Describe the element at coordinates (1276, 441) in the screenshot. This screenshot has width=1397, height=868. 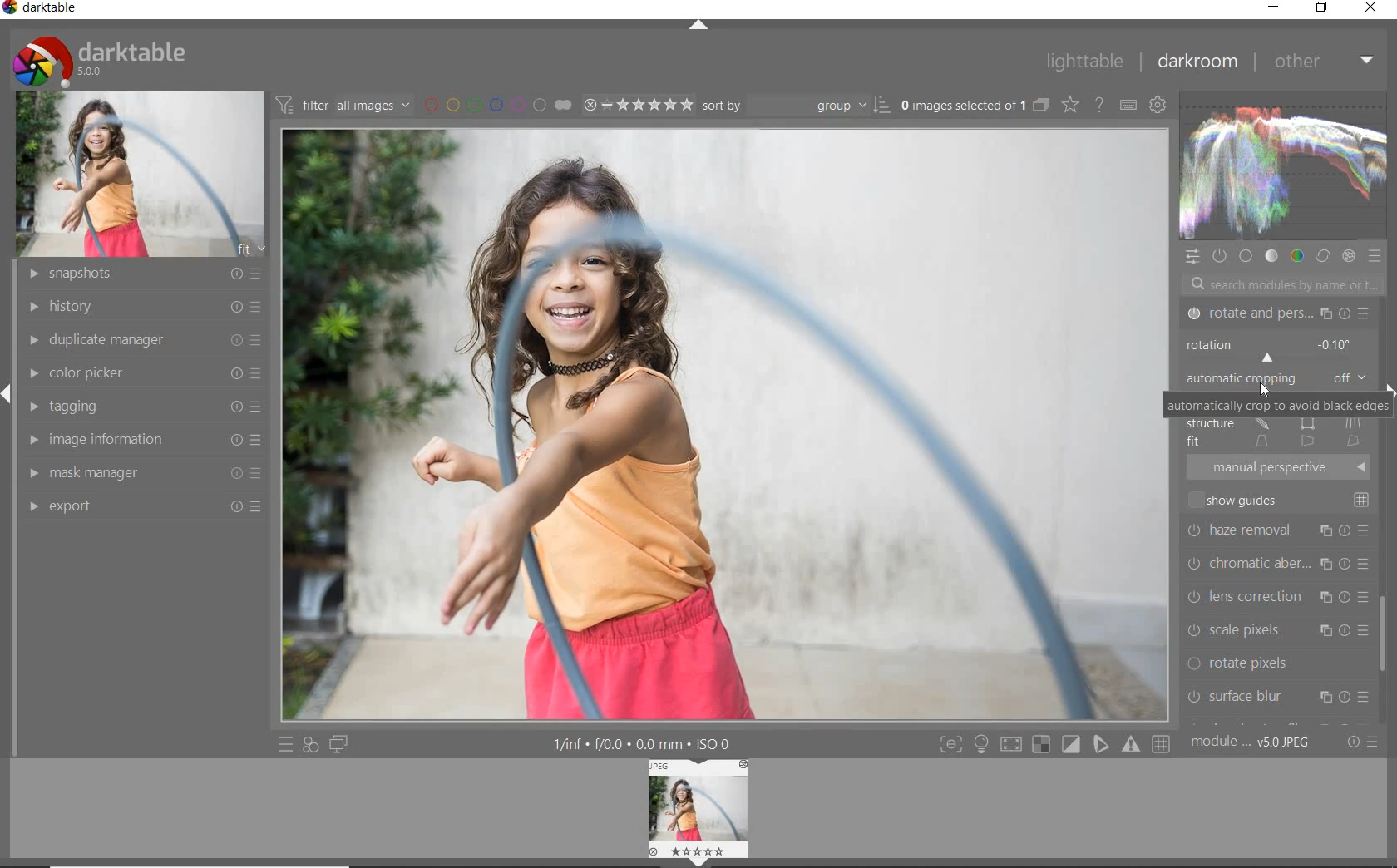
I see `FIT` at that location.